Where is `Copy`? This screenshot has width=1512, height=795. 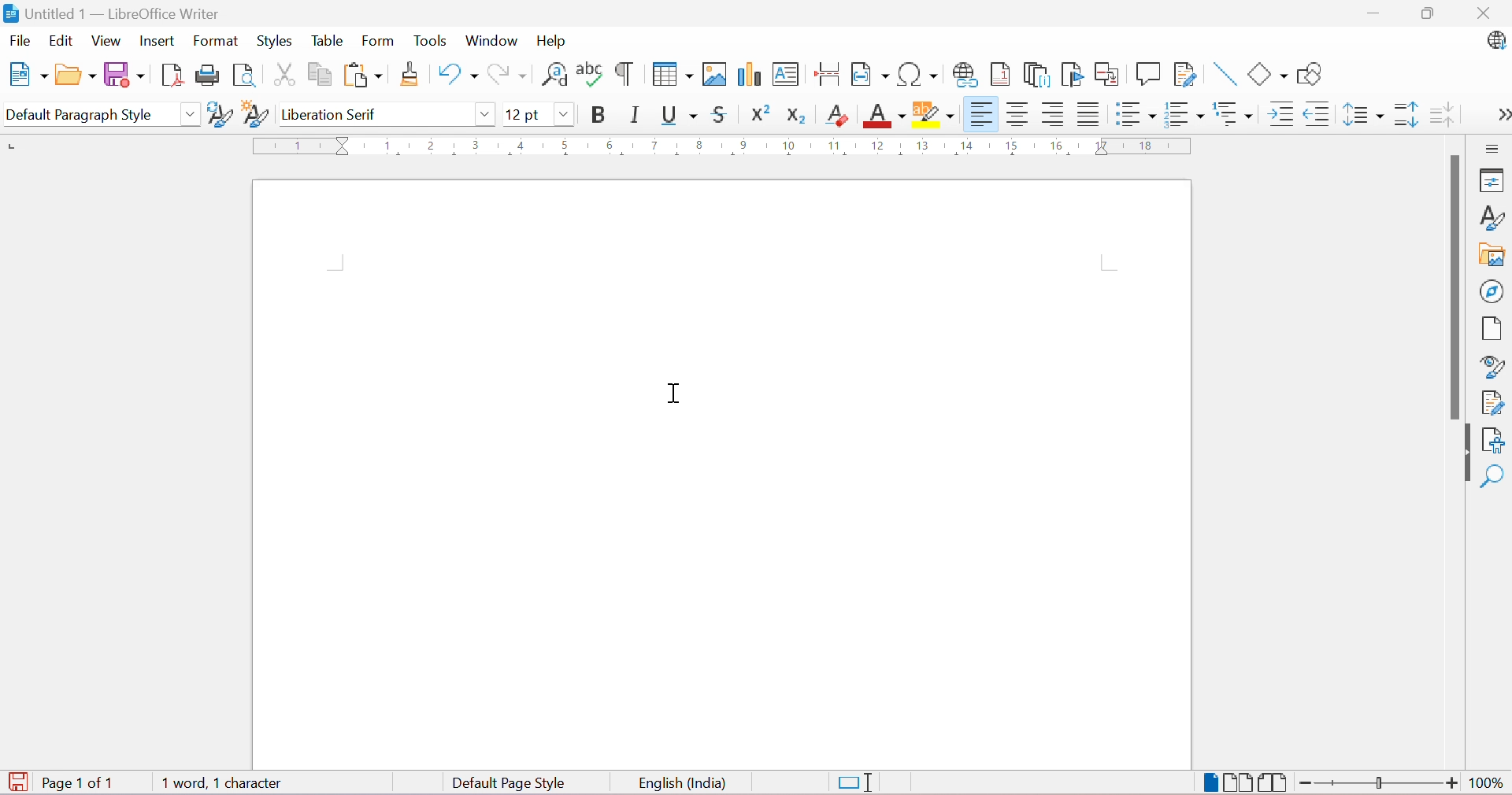
Copy is located at coordinates (317, 72).